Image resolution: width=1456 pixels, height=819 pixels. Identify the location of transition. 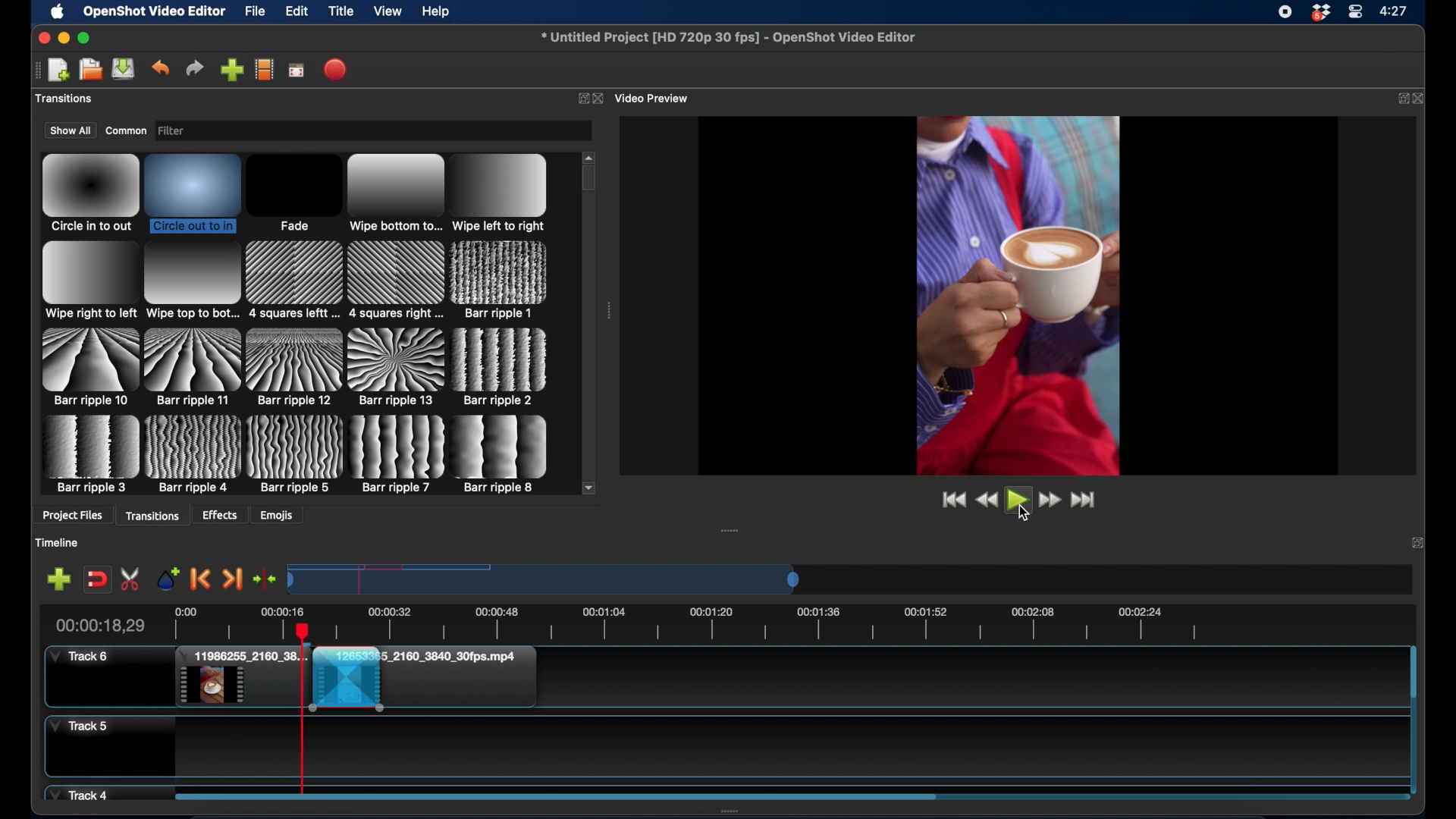
(395, 194).